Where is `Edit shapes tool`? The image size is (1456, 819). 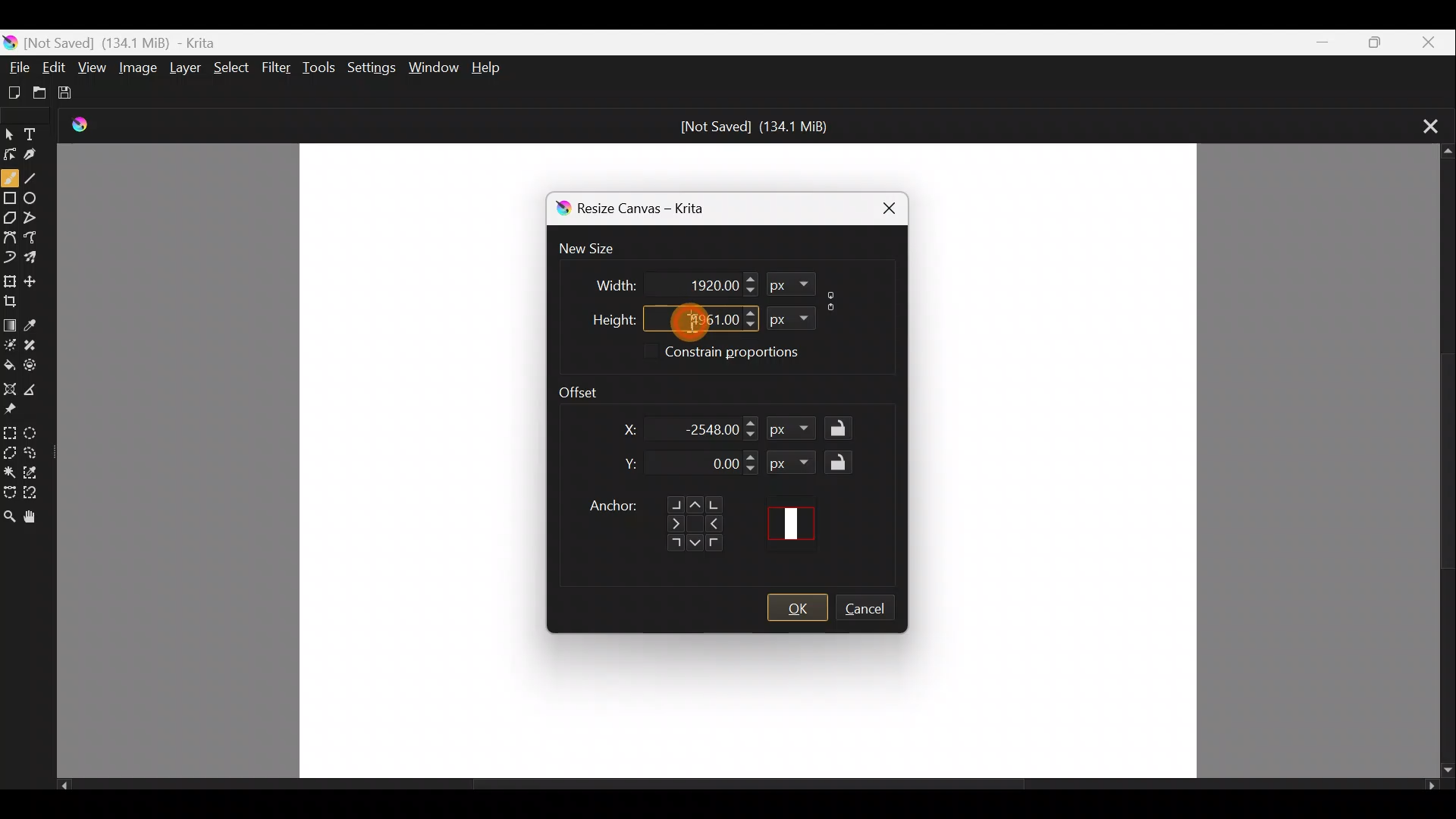 Edit shapes tool is located at coordinates (11, 153).